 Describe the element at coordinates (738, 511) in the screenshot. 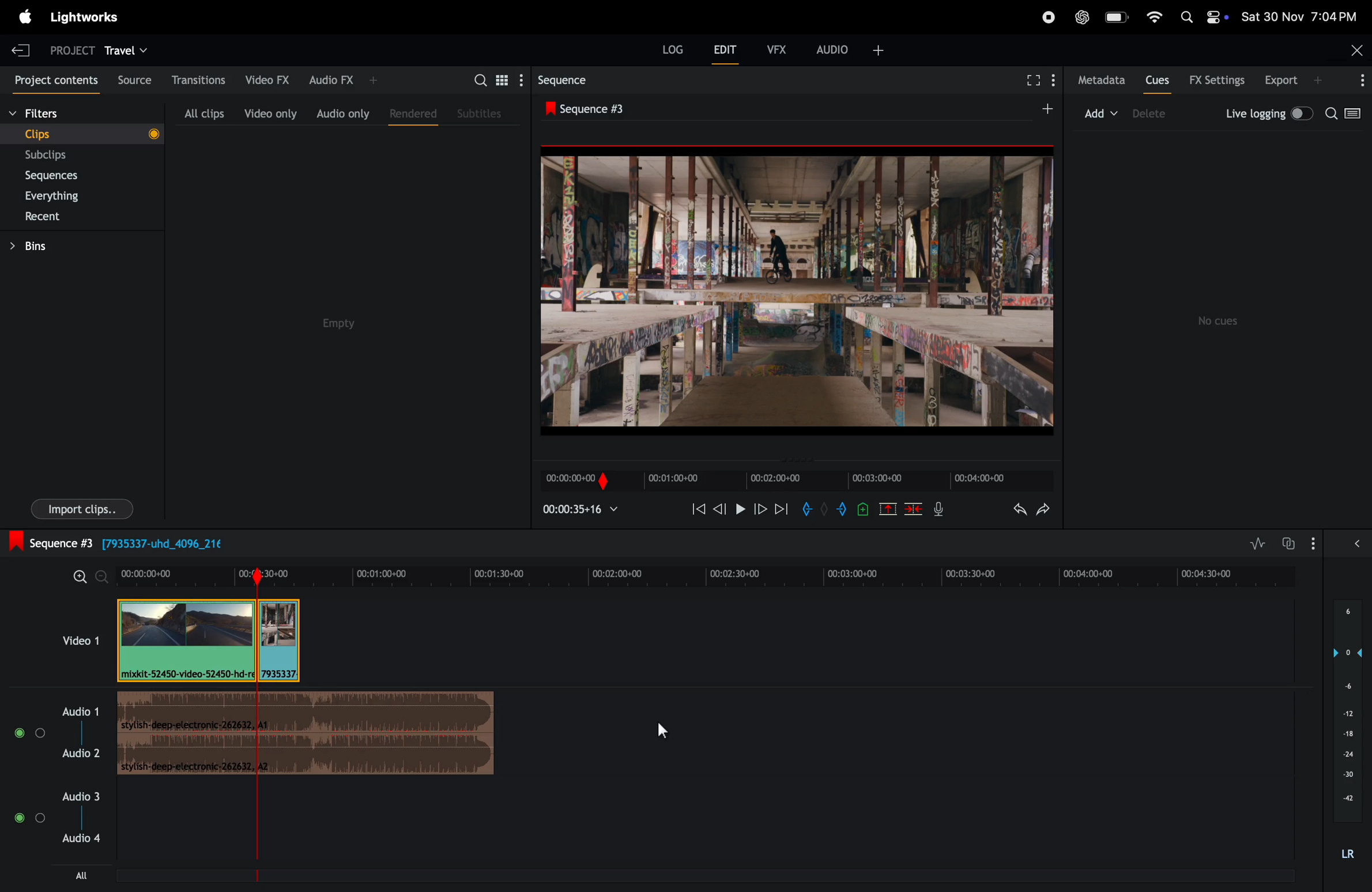

I see `play` at that location.